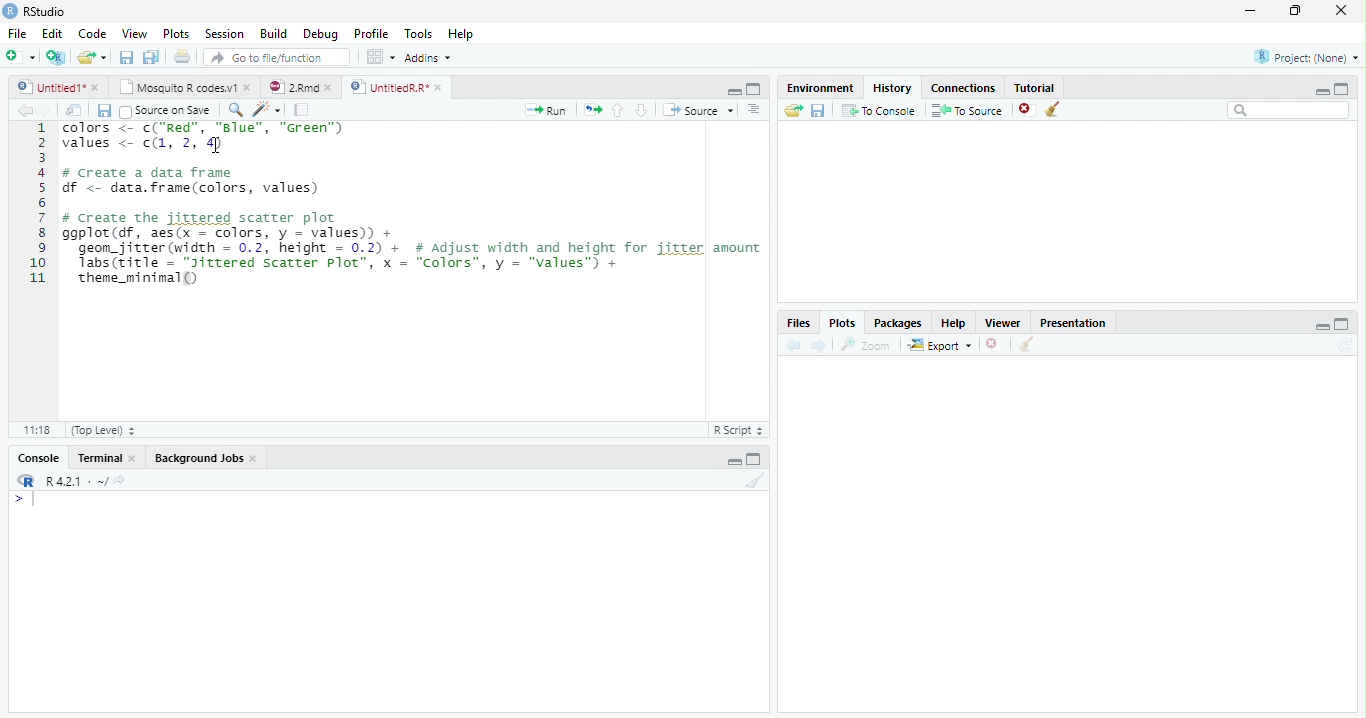 The width and height of the screenshot is (1366, 718). Describe the element at coordinates (23, 111) in the screenshot. I see `Go back to previous source location` at that location.